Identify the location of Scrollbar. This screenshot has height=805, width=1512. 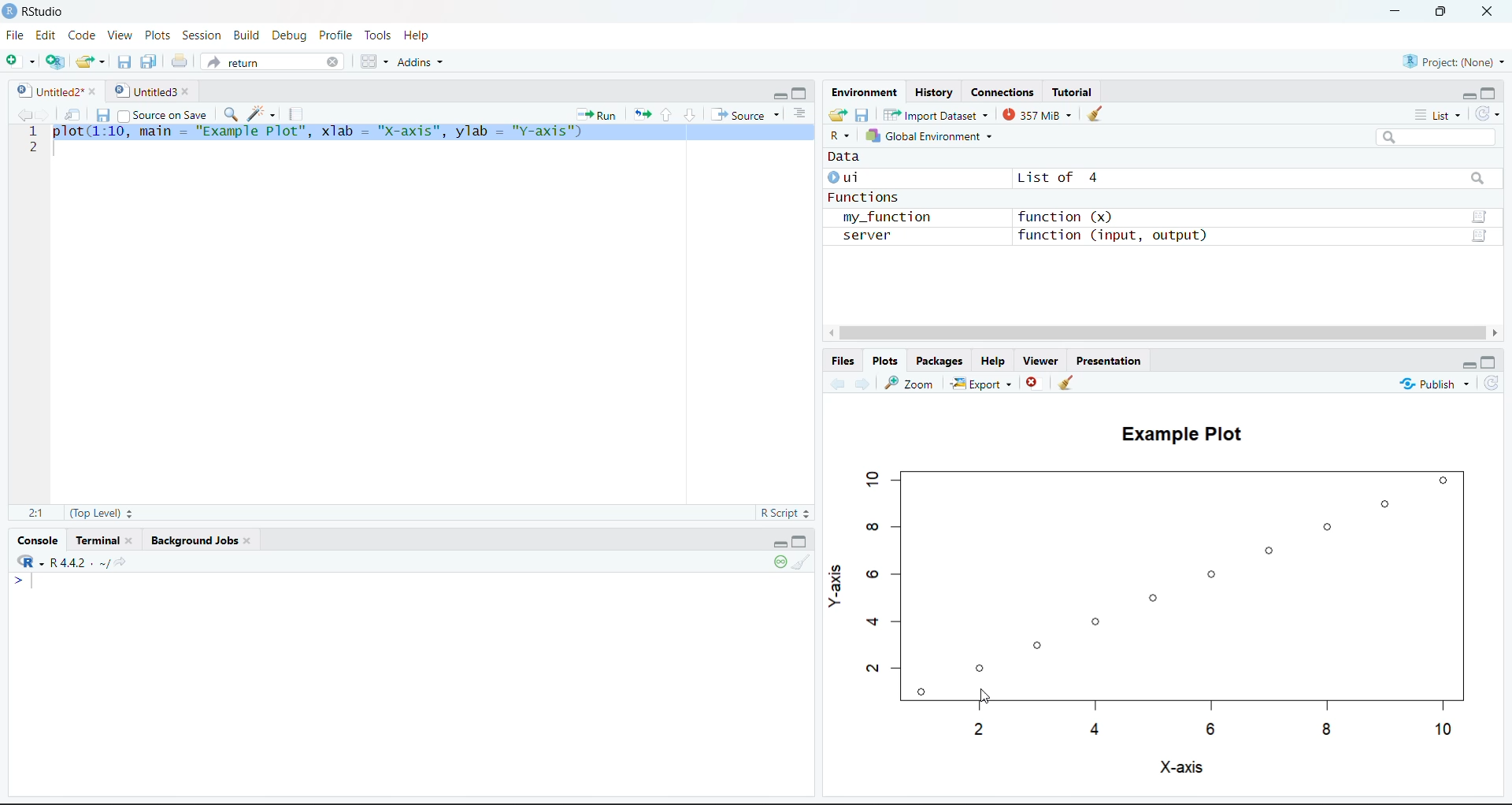
(1160, 332).